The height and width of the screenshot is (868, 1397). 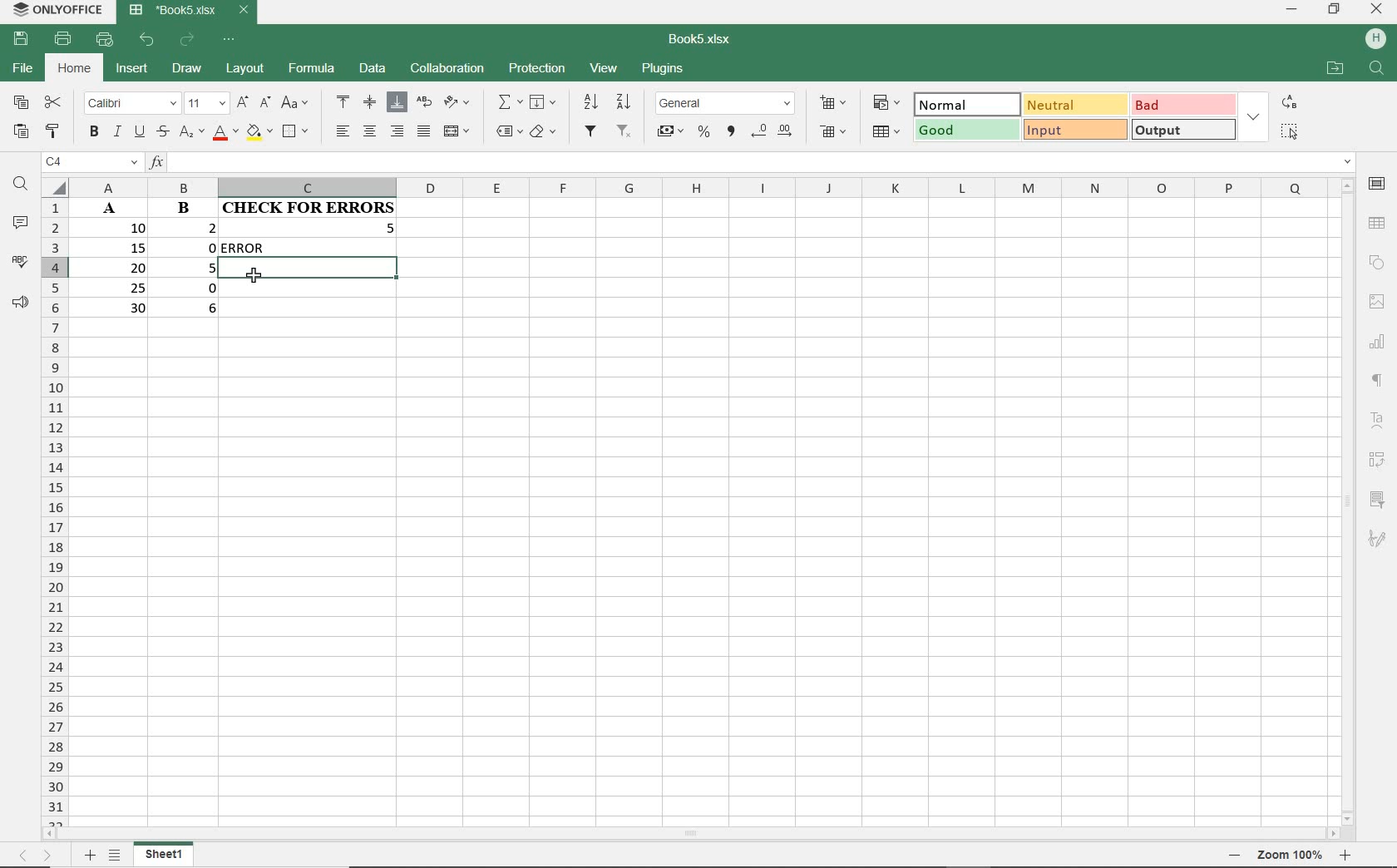 What do you see at coordinates (205, 104) in the screenshot?
I see `FONT SIZE` at bounding box center [205, 104].